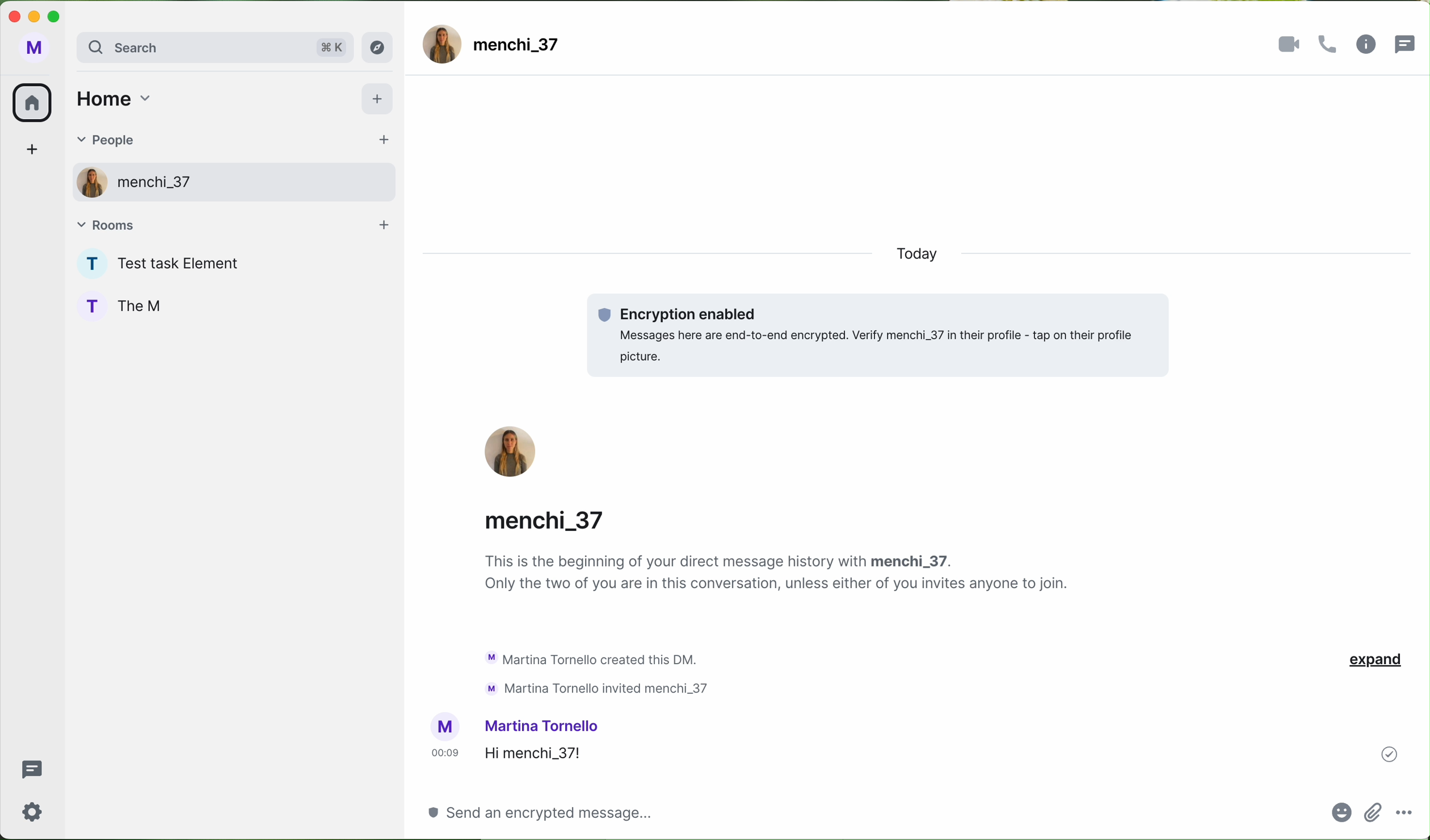 The image size is (1430, 840). Describe the element at coordinates (230, 142) in the screenshot. I see `people tab` at that location.